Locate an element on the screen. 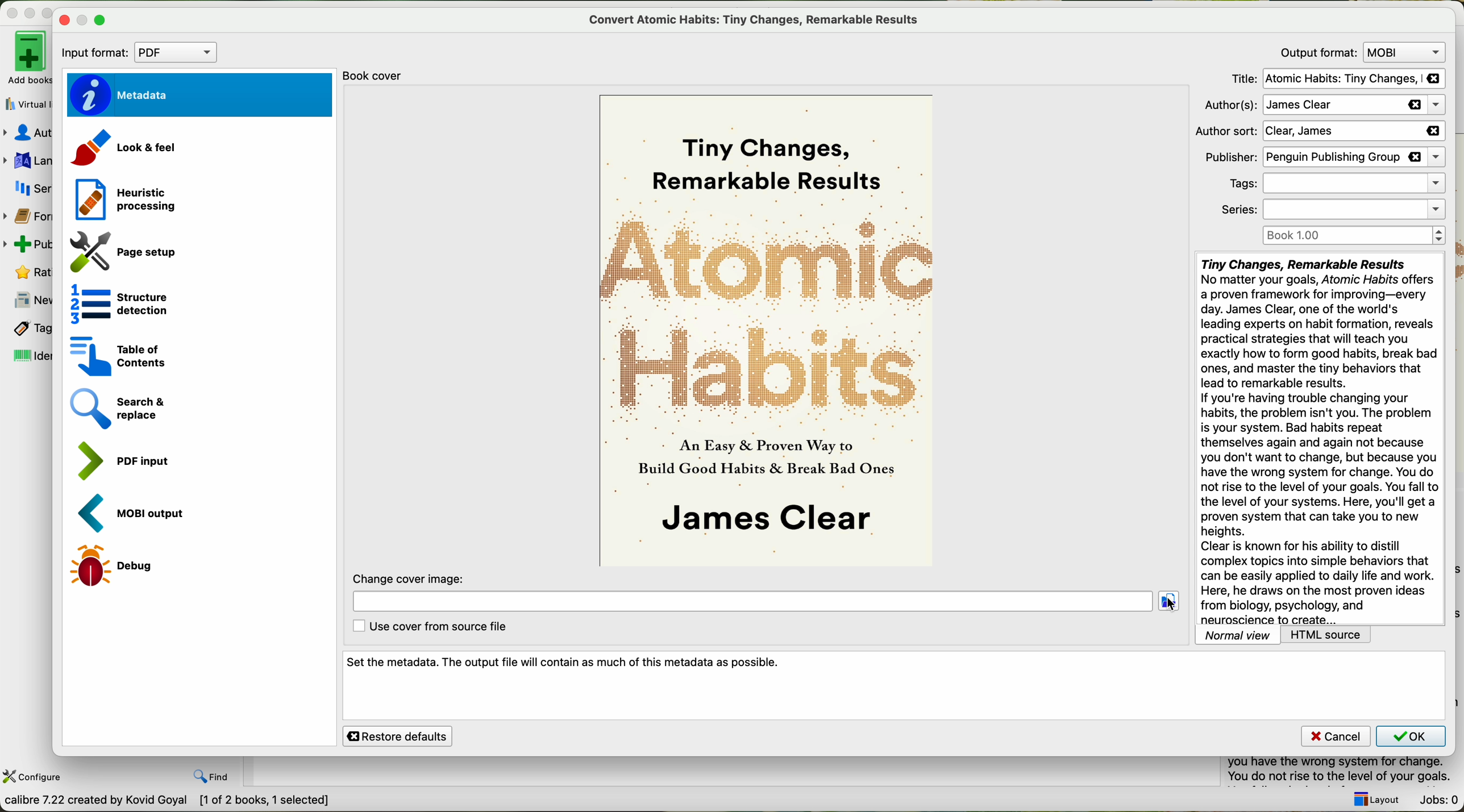 This screenshot has width=1464, height=812. synopsis is located at coordinates (1319, 439).